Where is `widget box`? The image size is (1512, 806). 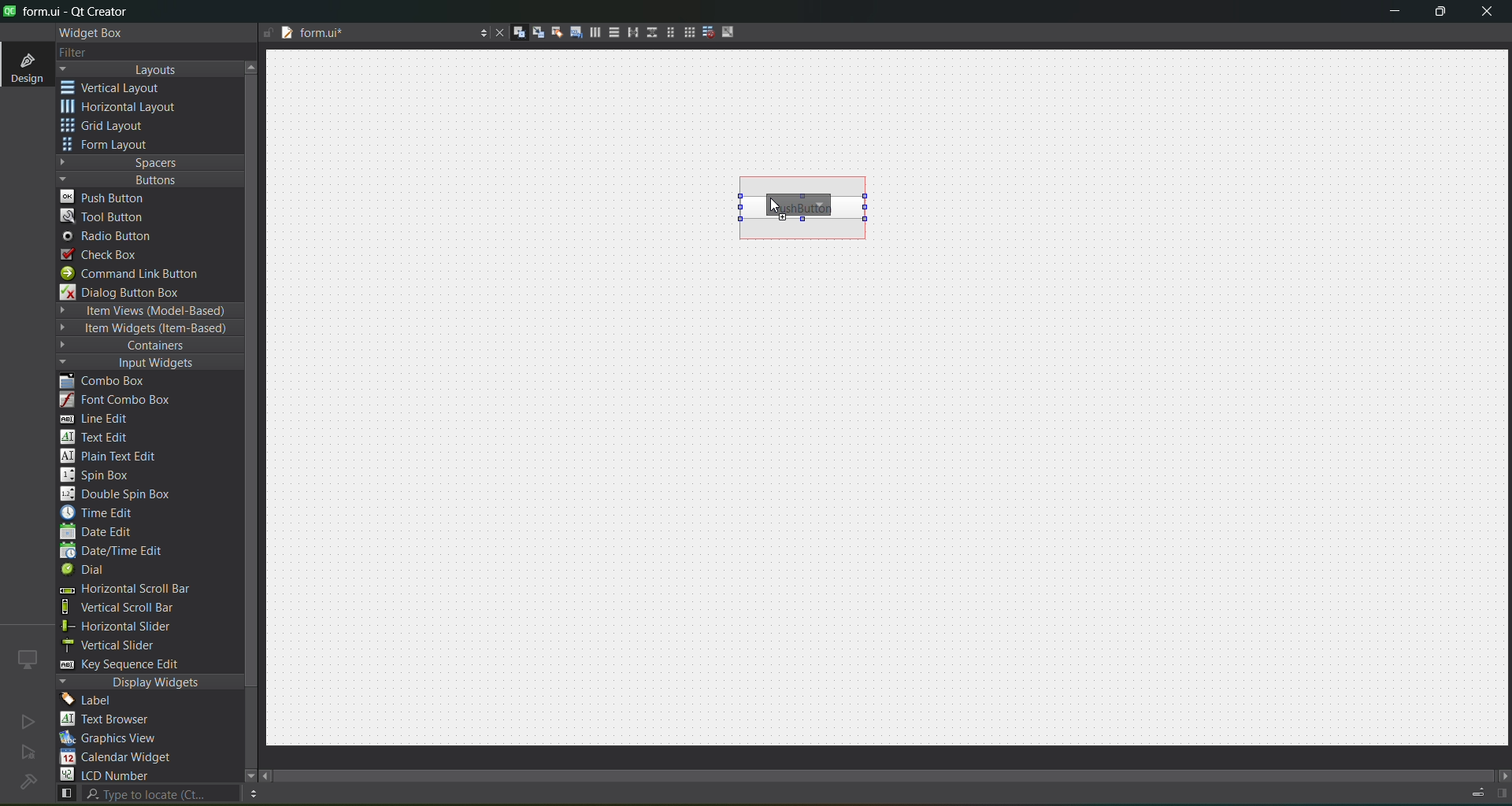
widget box is located at coordinates (94, 33).